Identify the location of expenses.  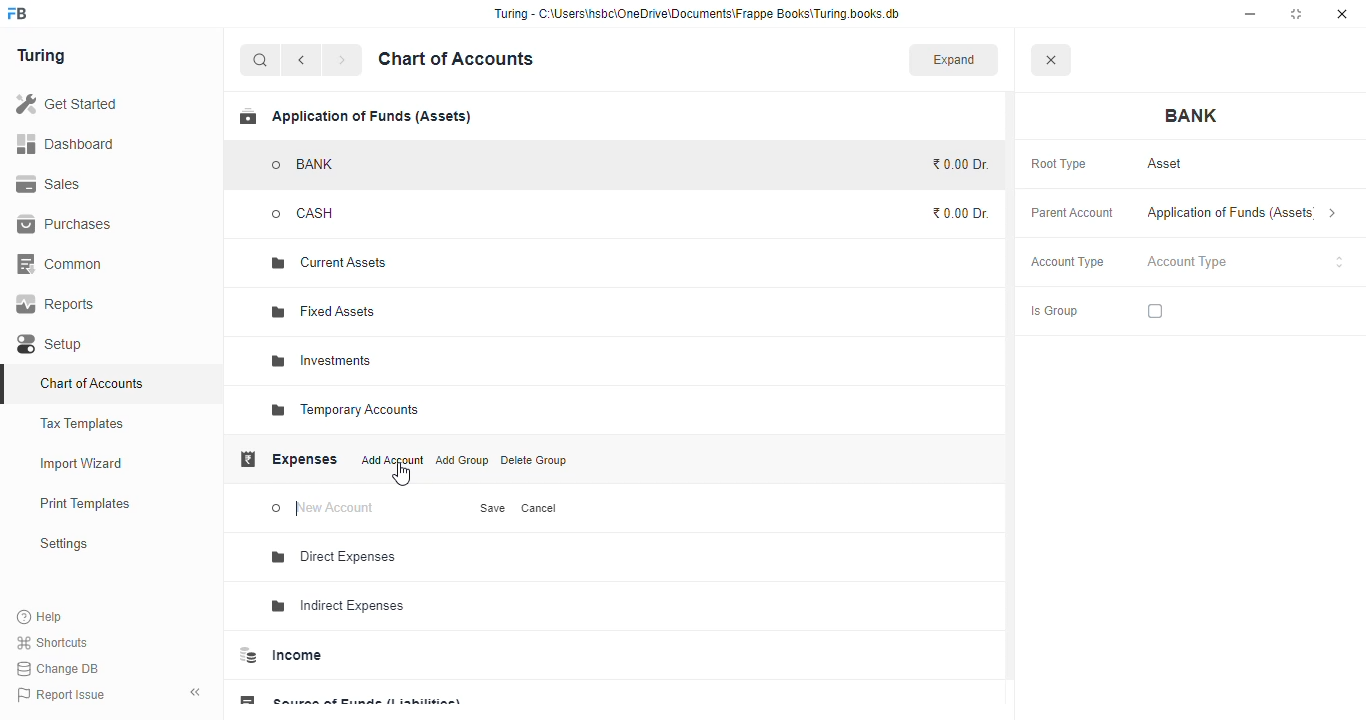
(288, 459).